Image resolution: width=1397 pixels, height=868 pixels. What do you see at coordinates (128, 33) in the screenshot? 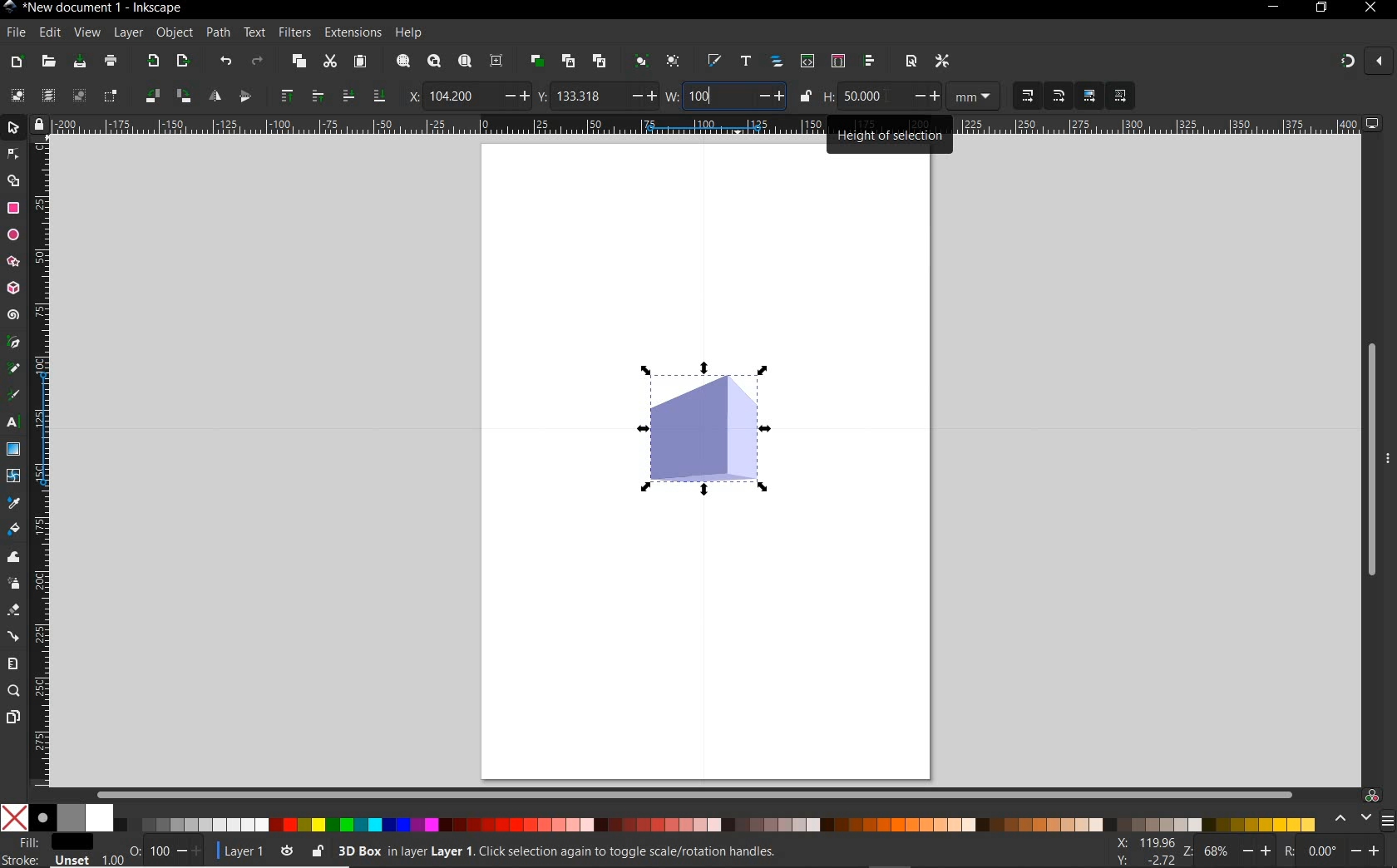
I see `layer` at bounding box center [128, 33].